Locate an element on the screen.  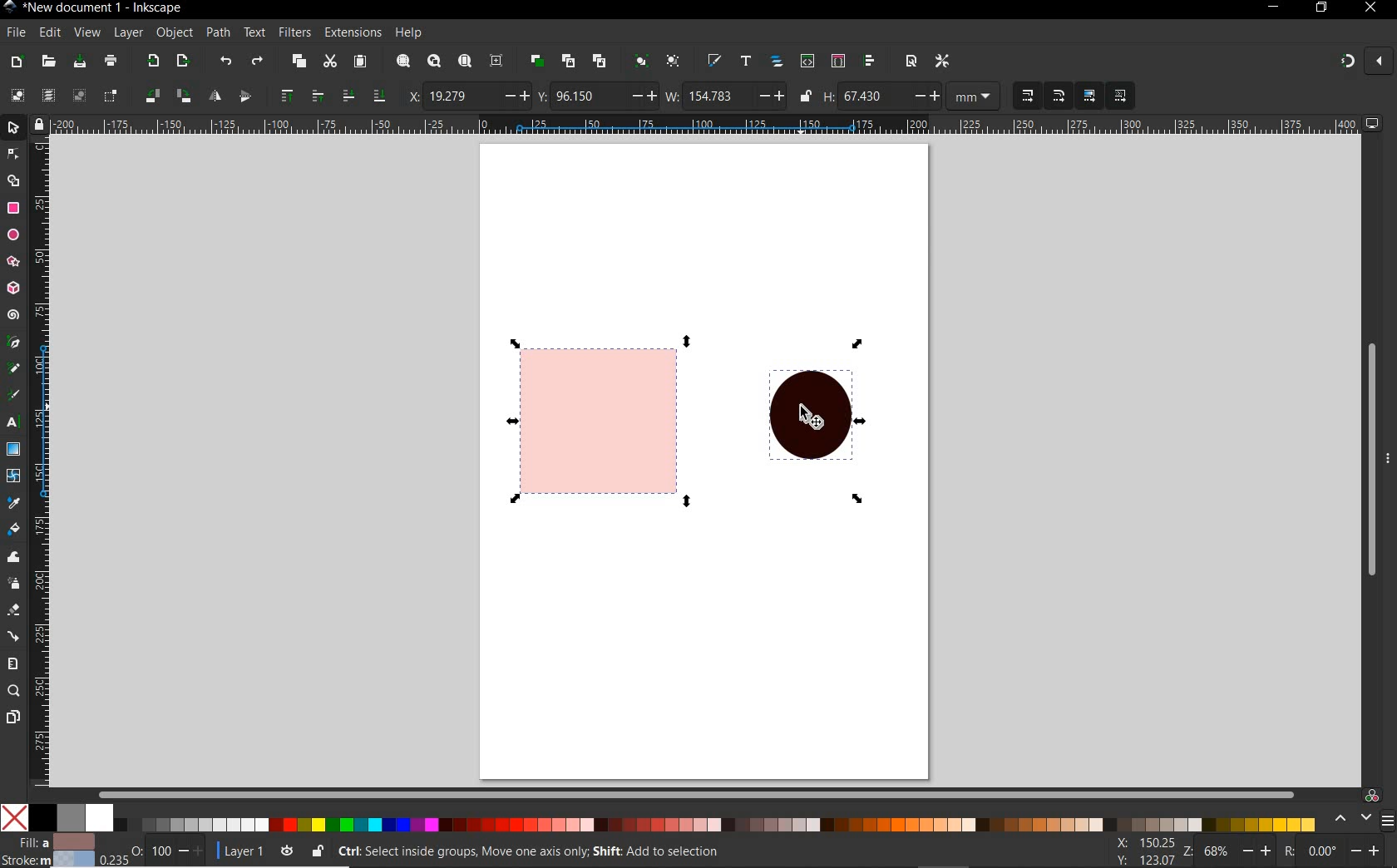
unlink clone is located at coordinates (602, 60).